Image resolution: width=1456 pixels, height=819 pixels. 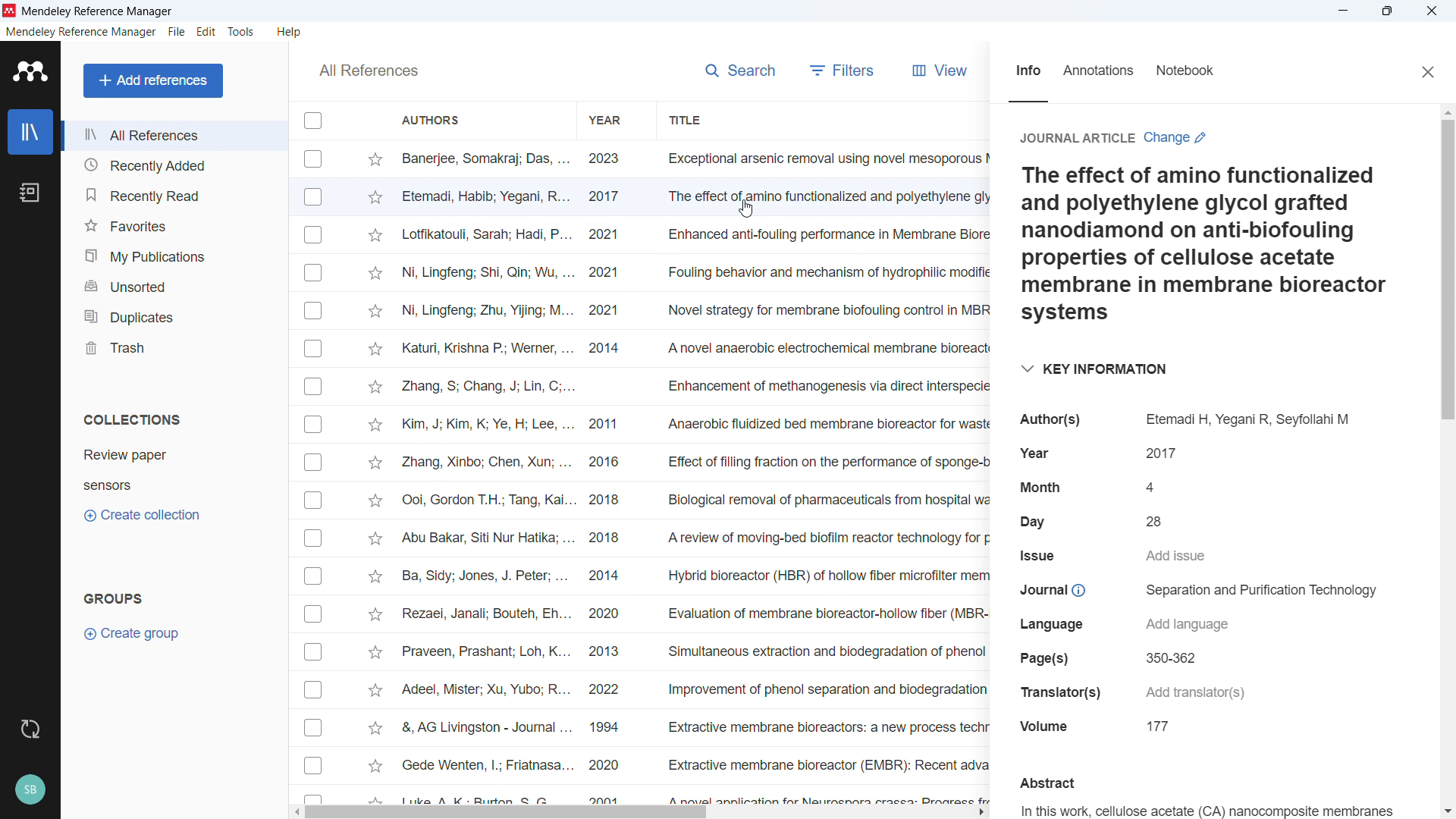 I want to click on Scroll left , so click(x=294, y=812).